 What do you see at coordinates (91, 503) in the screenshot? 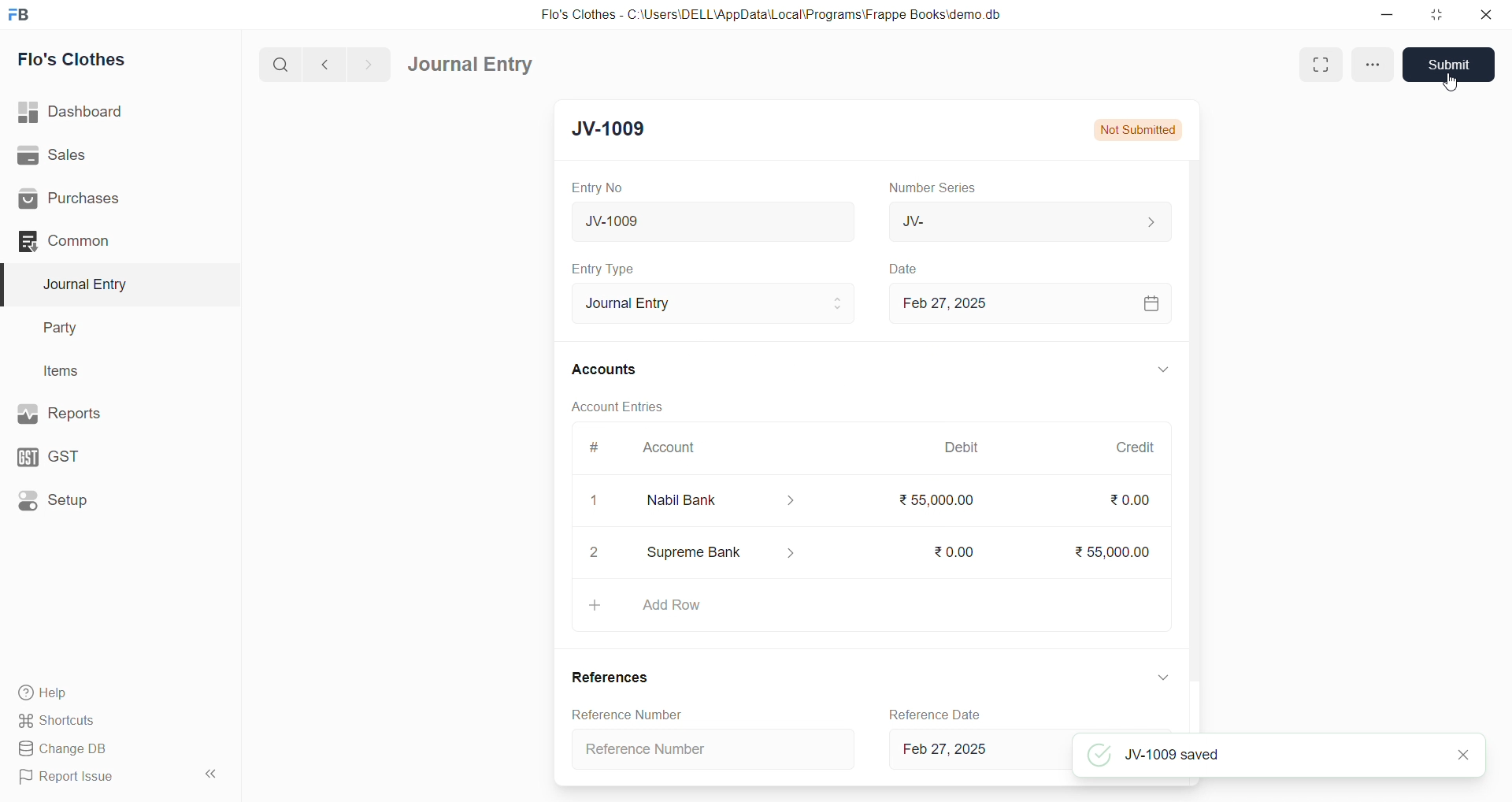
I see `Setup` at bounding box center [91, 503].